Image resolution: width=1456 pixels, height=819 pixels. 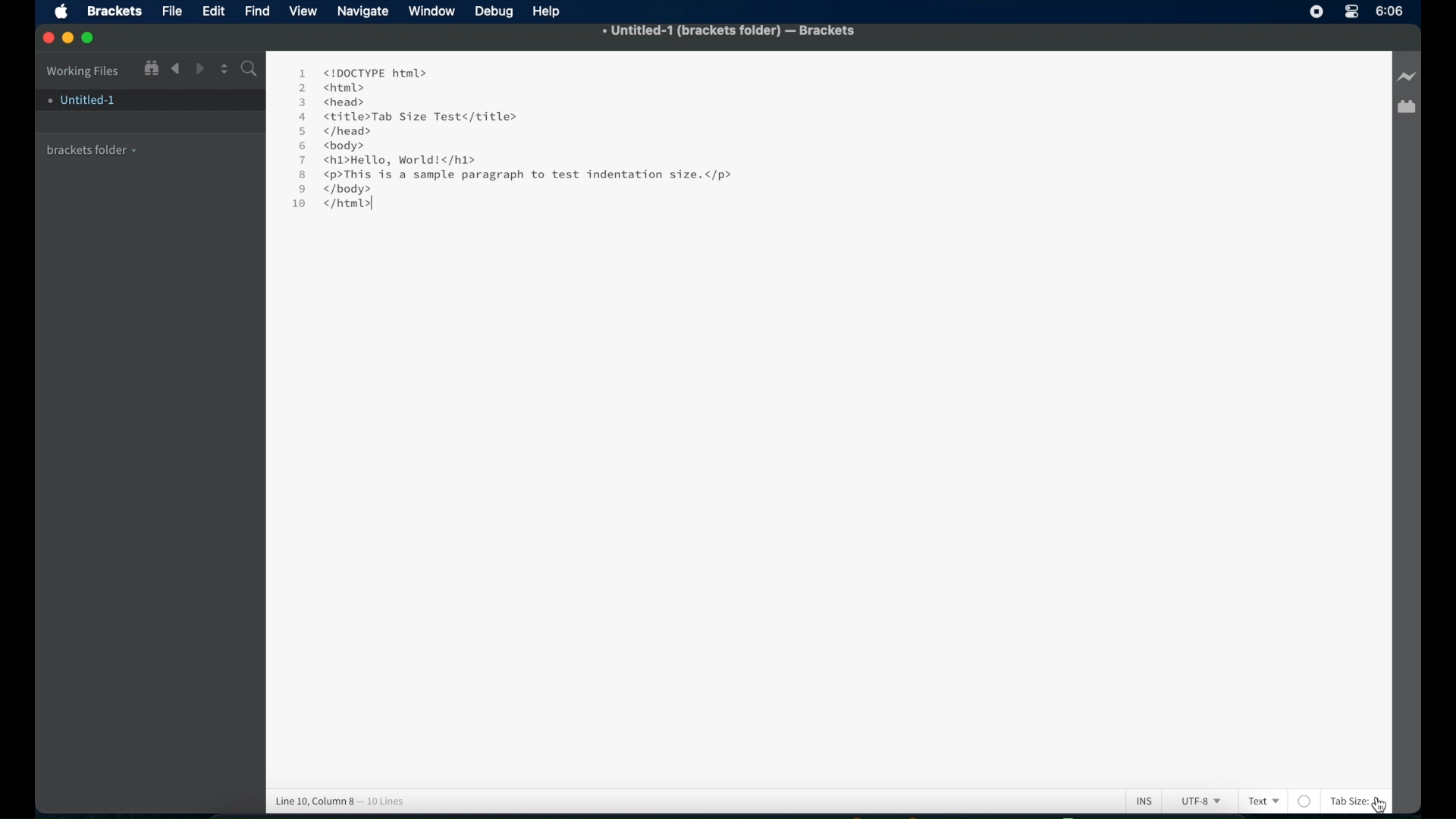 I want to click on 7 <h1>Hello, World!</h1>, so click(x=390, y=160).